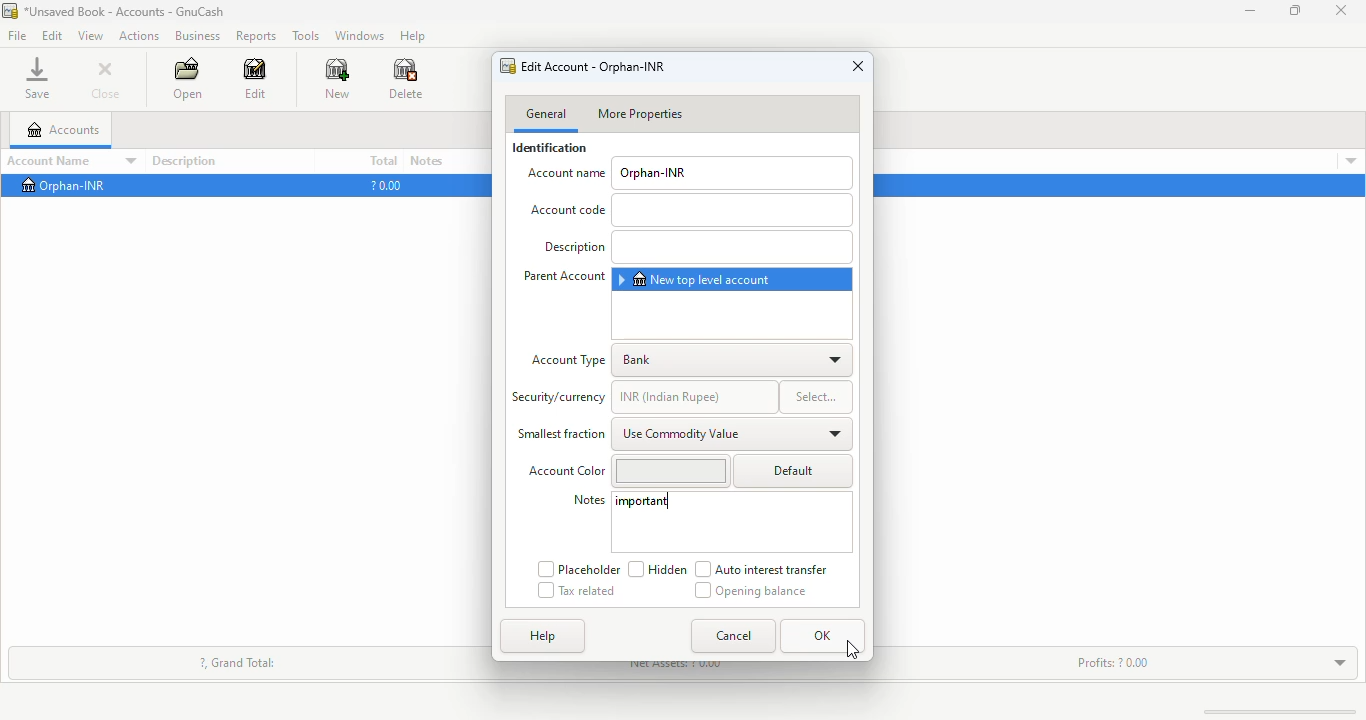  What do you see at coordinates (577, 568) in the screenshot?
I see `placeholder` at bounding box center [577, 568].